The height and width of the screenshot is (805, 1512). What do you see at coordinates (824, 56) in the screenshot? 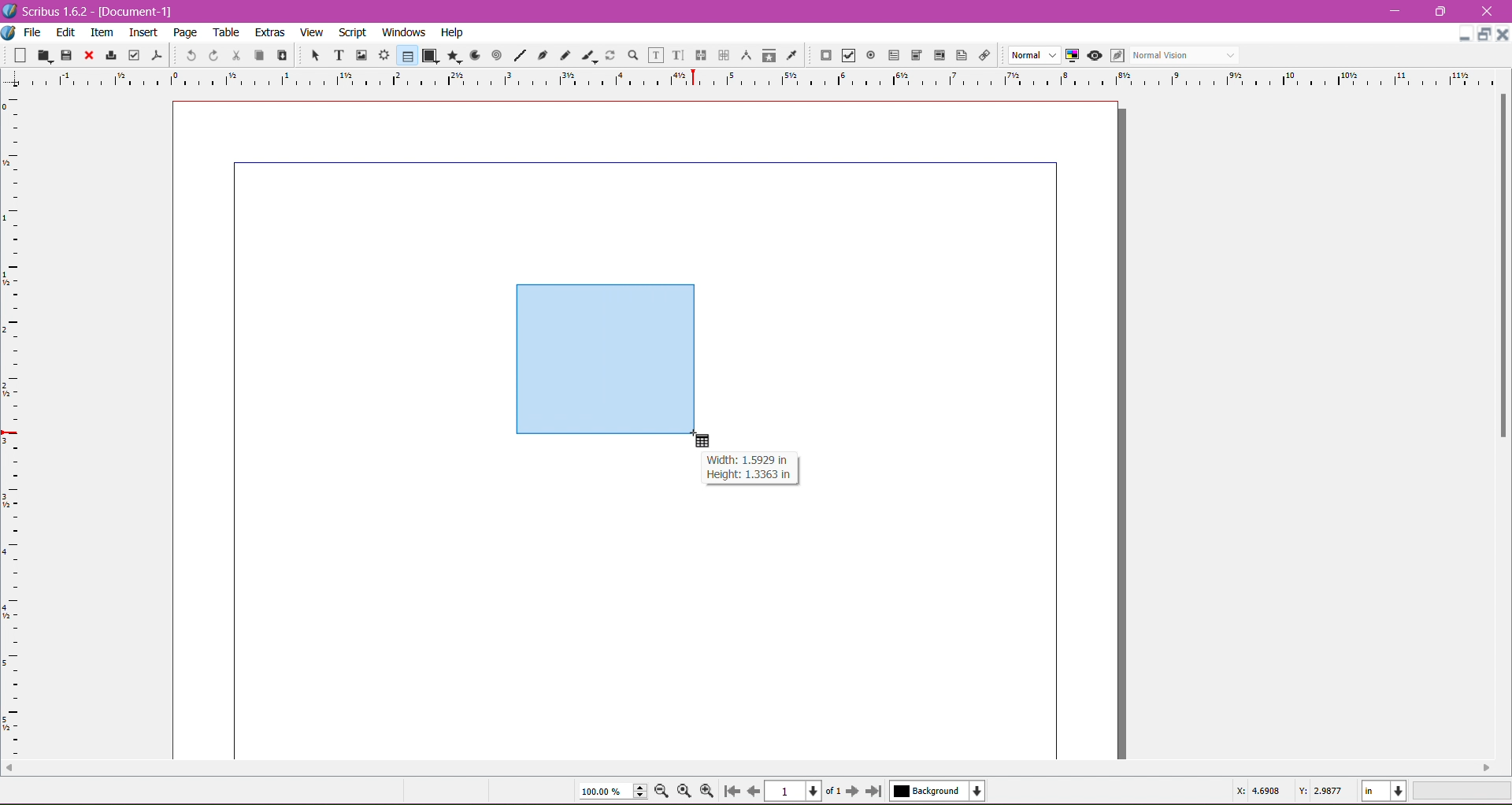
I see `PDF Push button` at bounding box center [824, 56].